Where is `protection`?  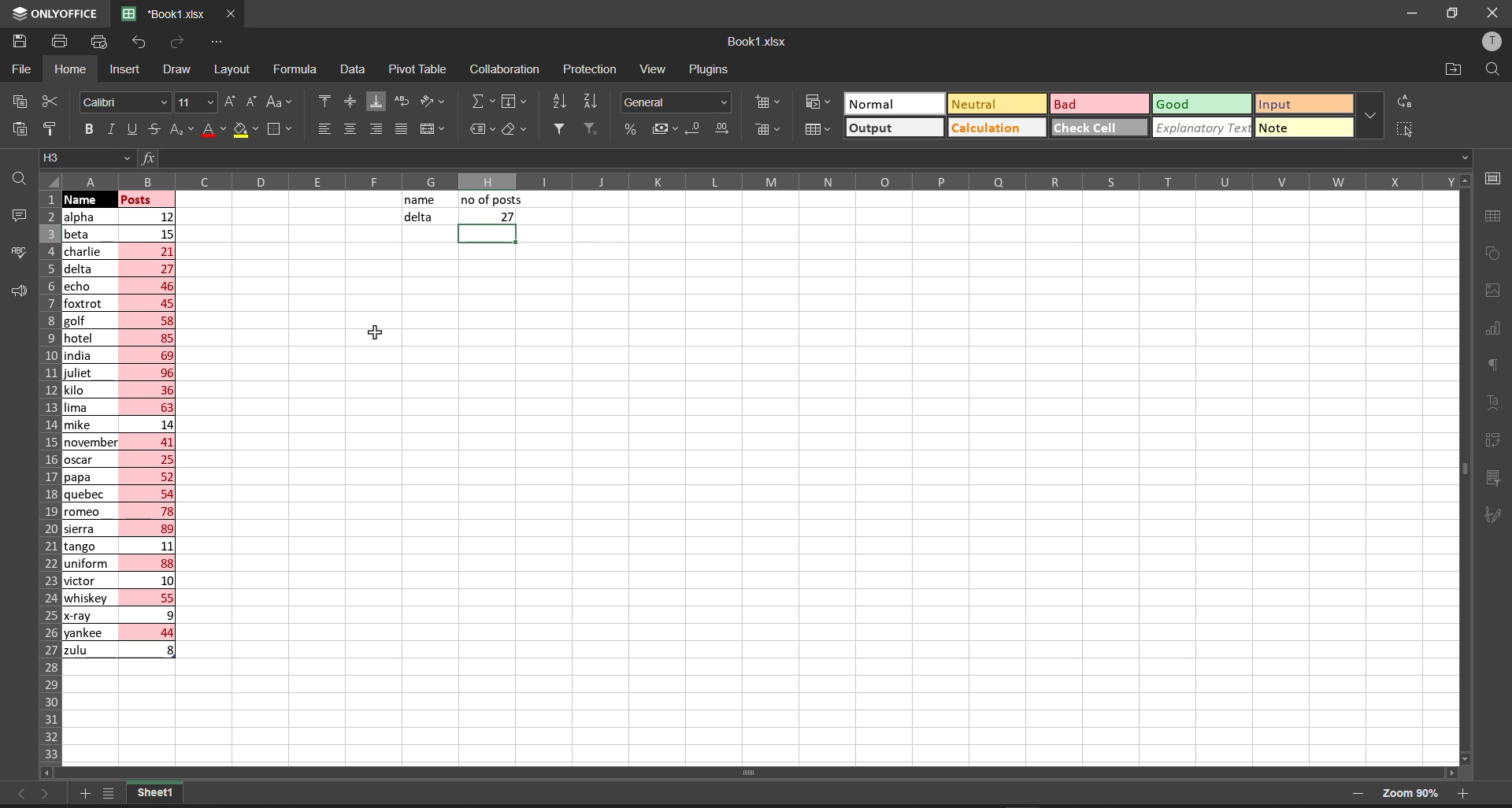
protection is located at coordinates (594, 69).